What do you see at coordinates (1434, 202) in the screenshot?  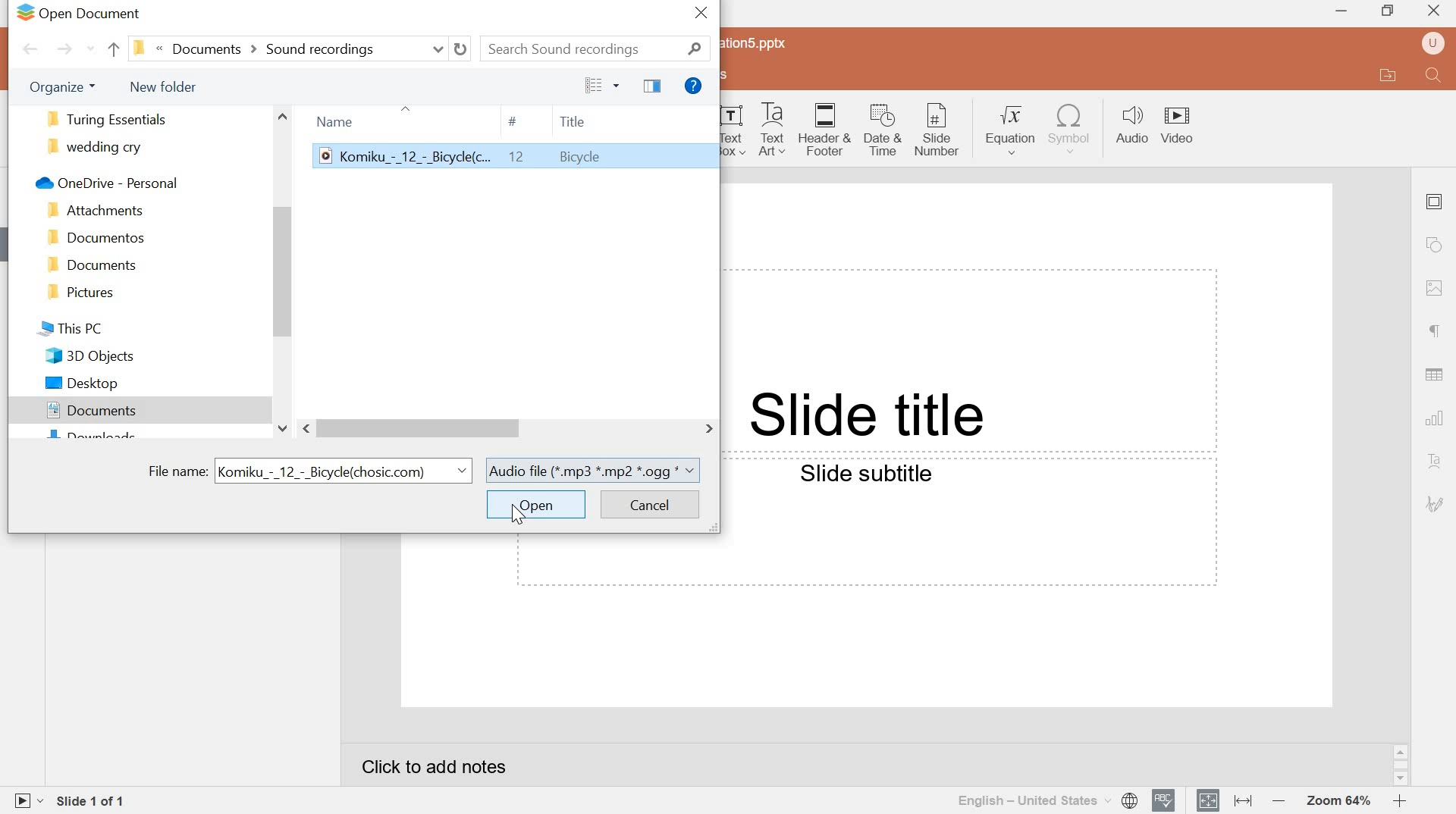 I see `slide settings` at bounding box center [1434, 202].